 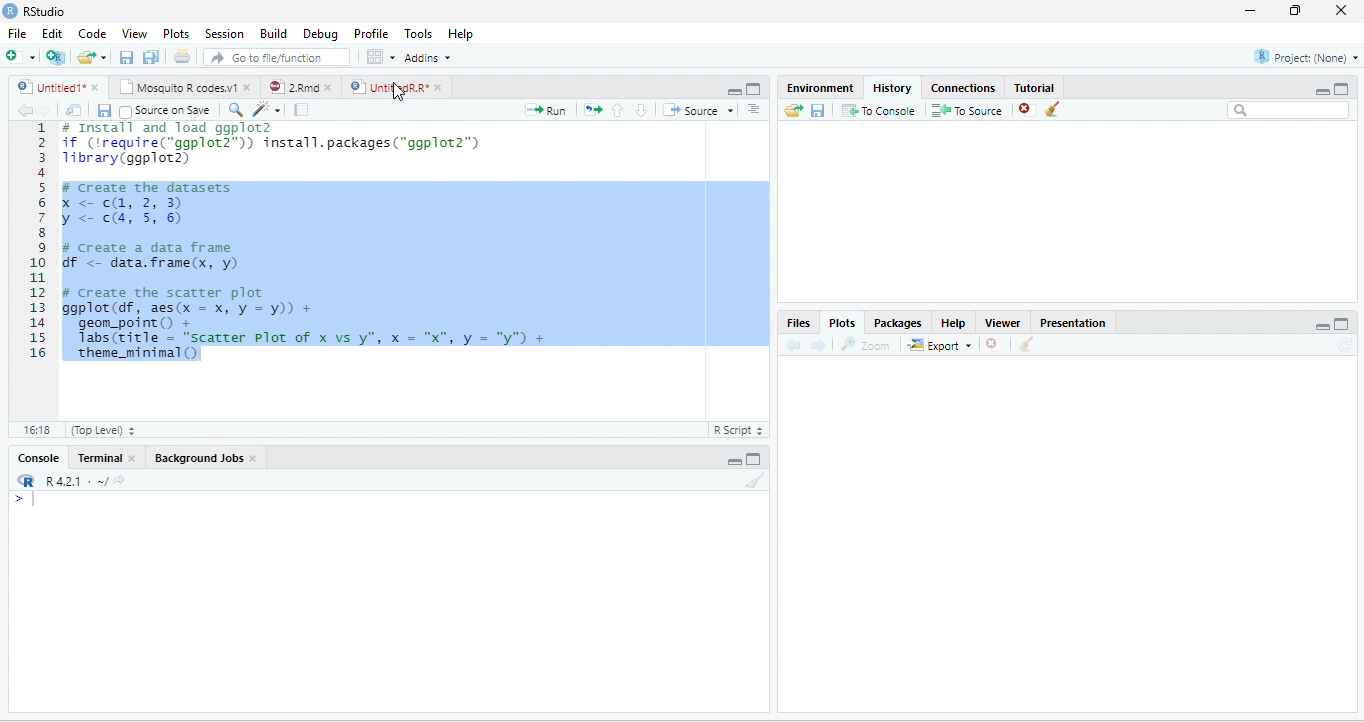 What do you see at coordinates (320, 33) in the screenshot?
I see `Debug` at bounding box center [320, 33].